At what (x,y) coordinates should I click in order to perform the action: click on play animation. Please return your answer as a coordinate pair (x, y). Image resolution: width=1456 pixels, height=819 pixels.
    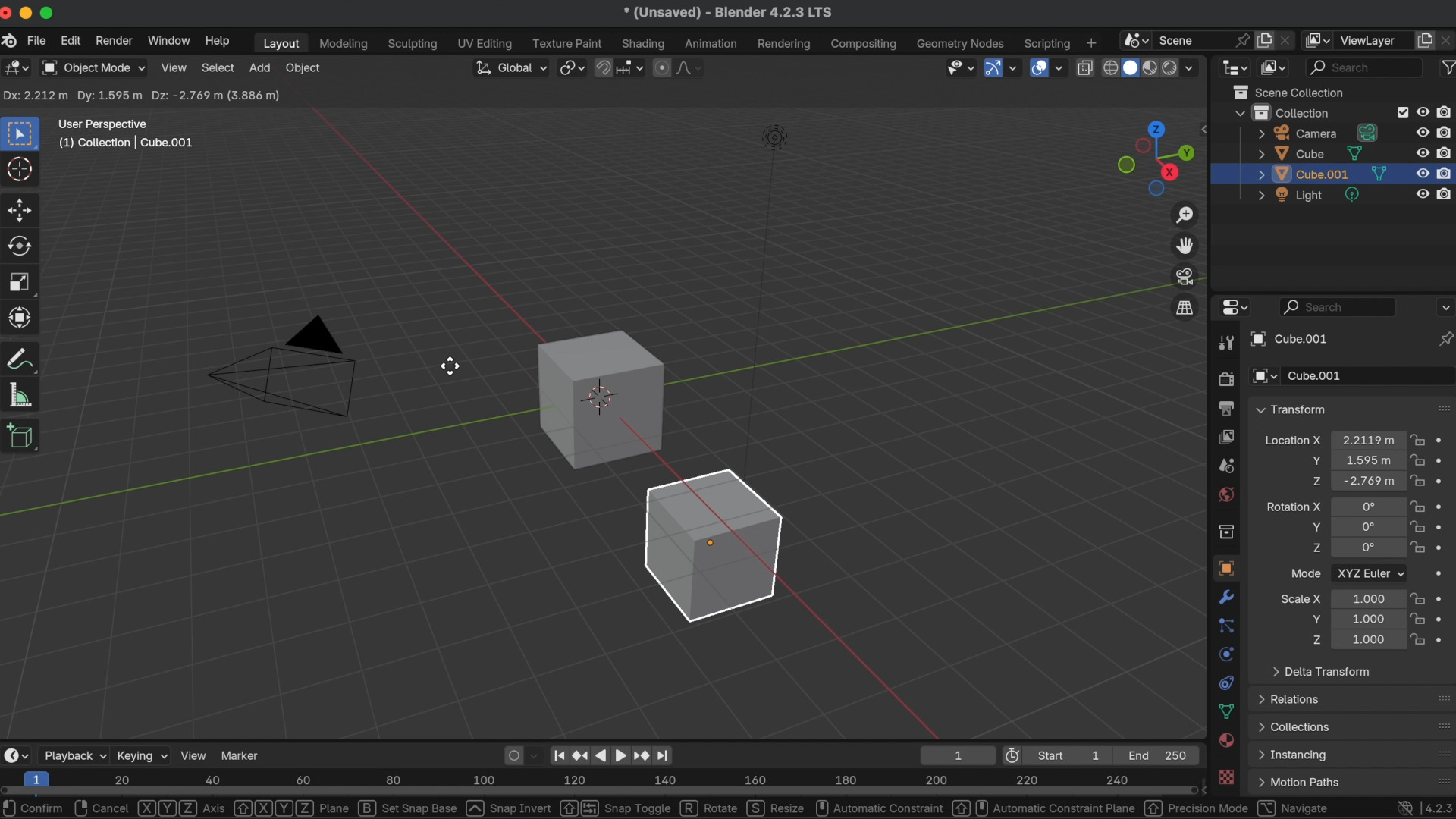
    Looking at the image, I should click on (610, 755).